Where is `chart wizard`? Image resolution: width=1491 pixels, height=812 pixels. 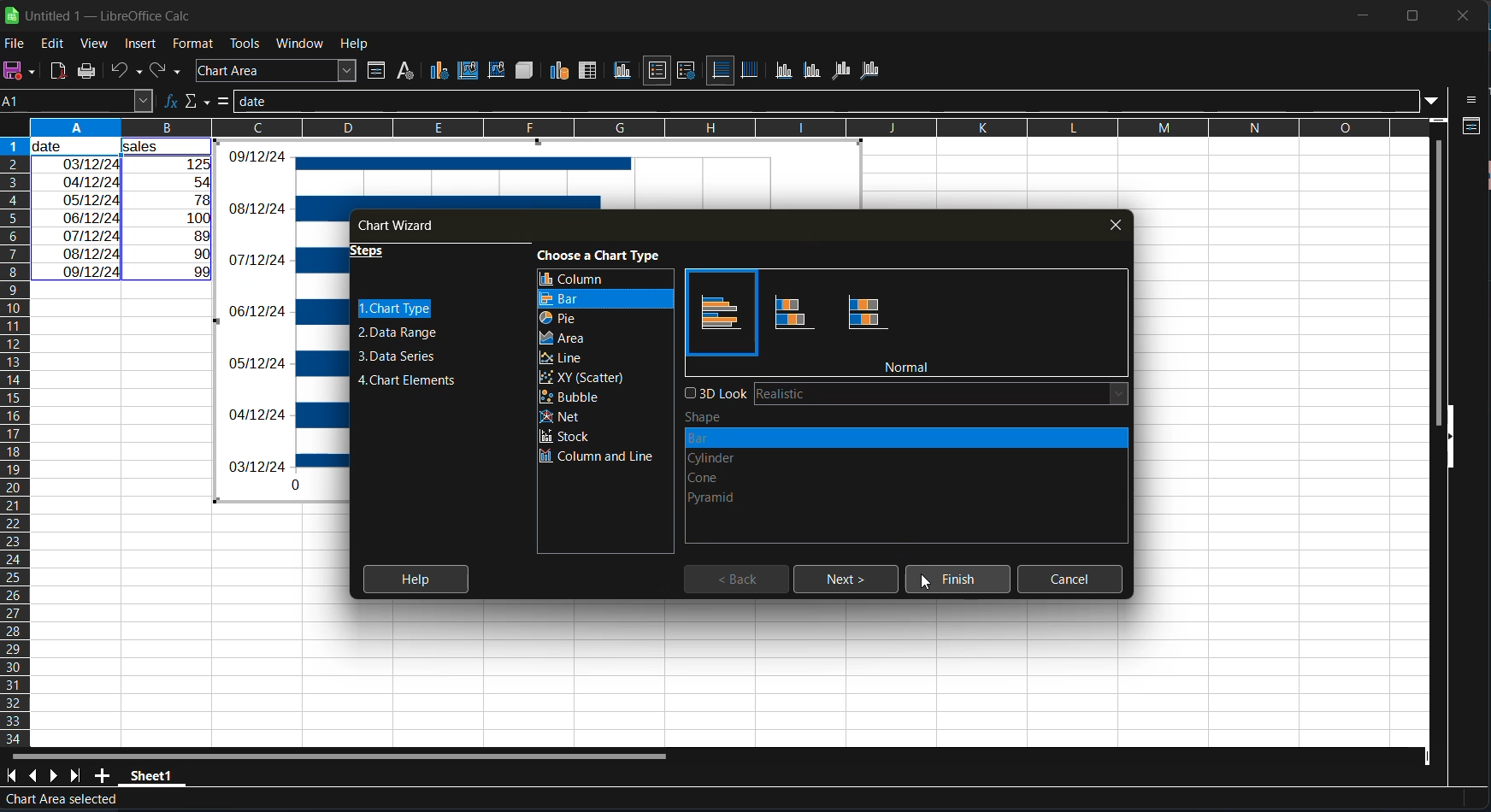 chart wizard is located at coordinates (405, 227).